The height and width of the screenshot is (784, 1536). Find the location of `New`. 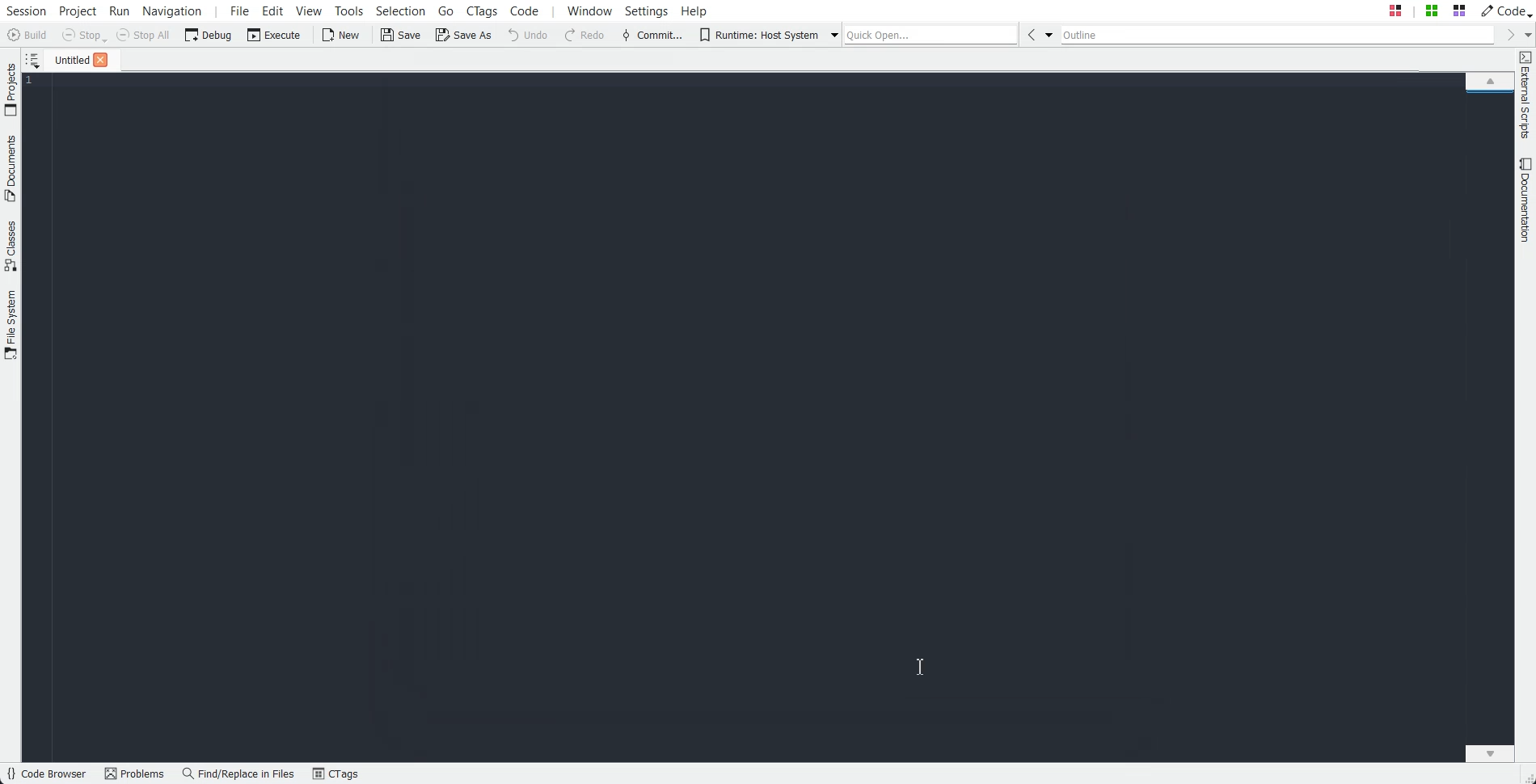

New is located at coordinates (340, 35).